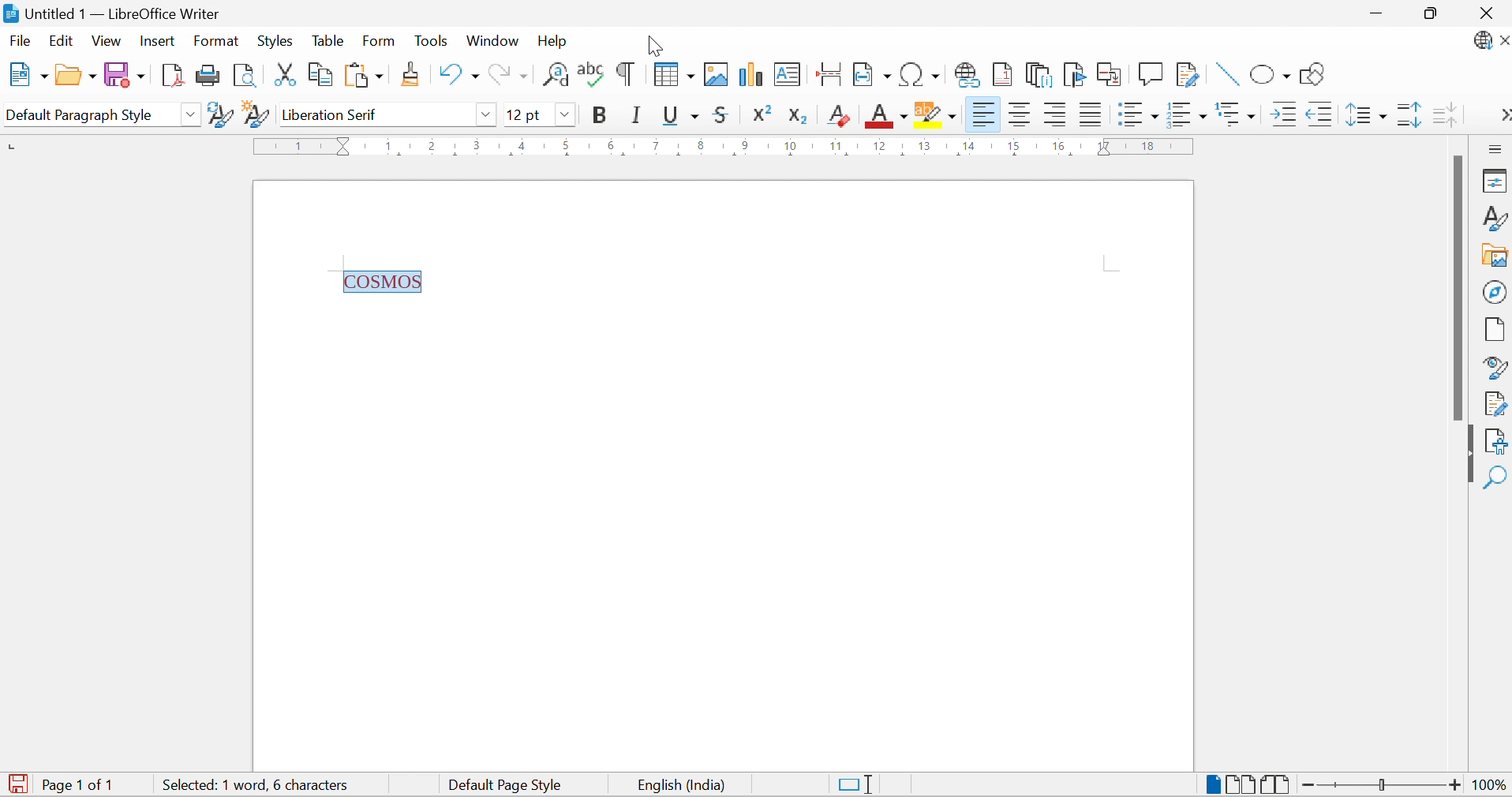 This screenshot has width=1512, height=797. I want to click on Align Left, so click(983, 114).